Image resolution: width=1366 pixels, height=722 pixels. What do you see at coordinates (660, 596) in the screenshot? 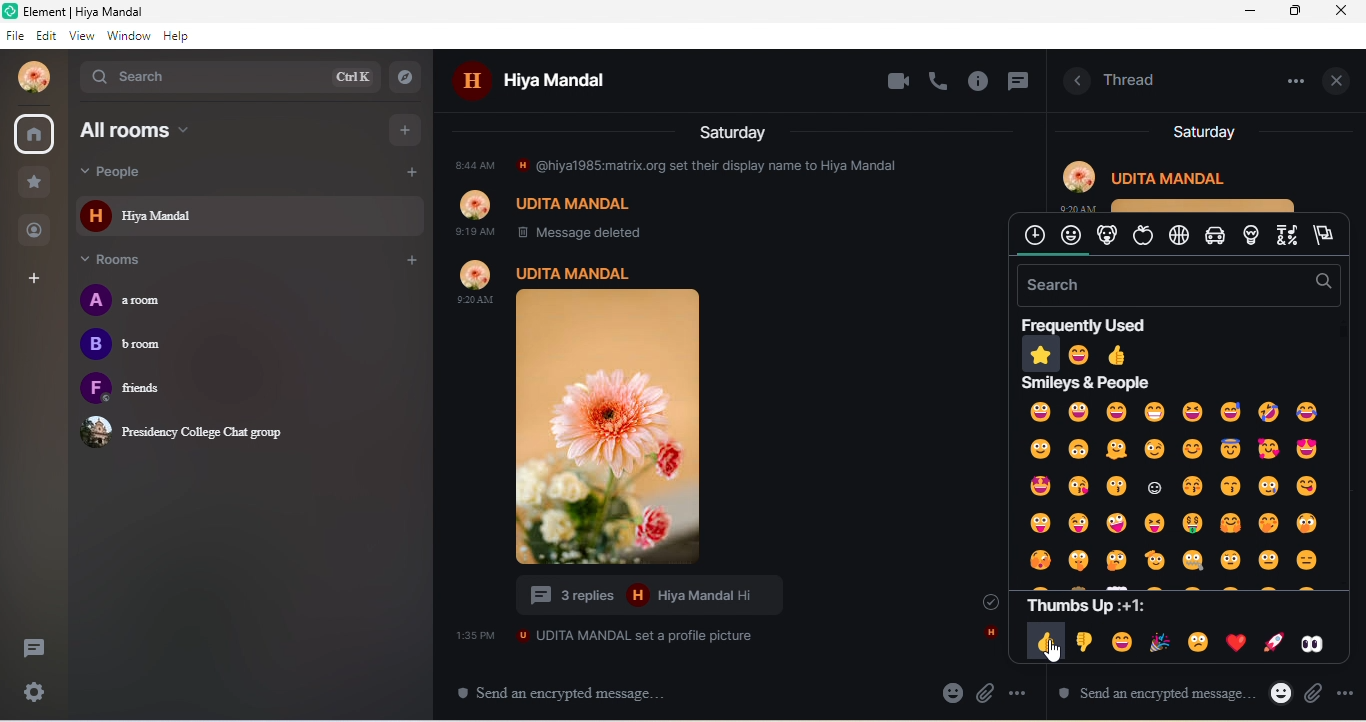
I see `3 replies hiya mandal` at bounding box center [660, 596].